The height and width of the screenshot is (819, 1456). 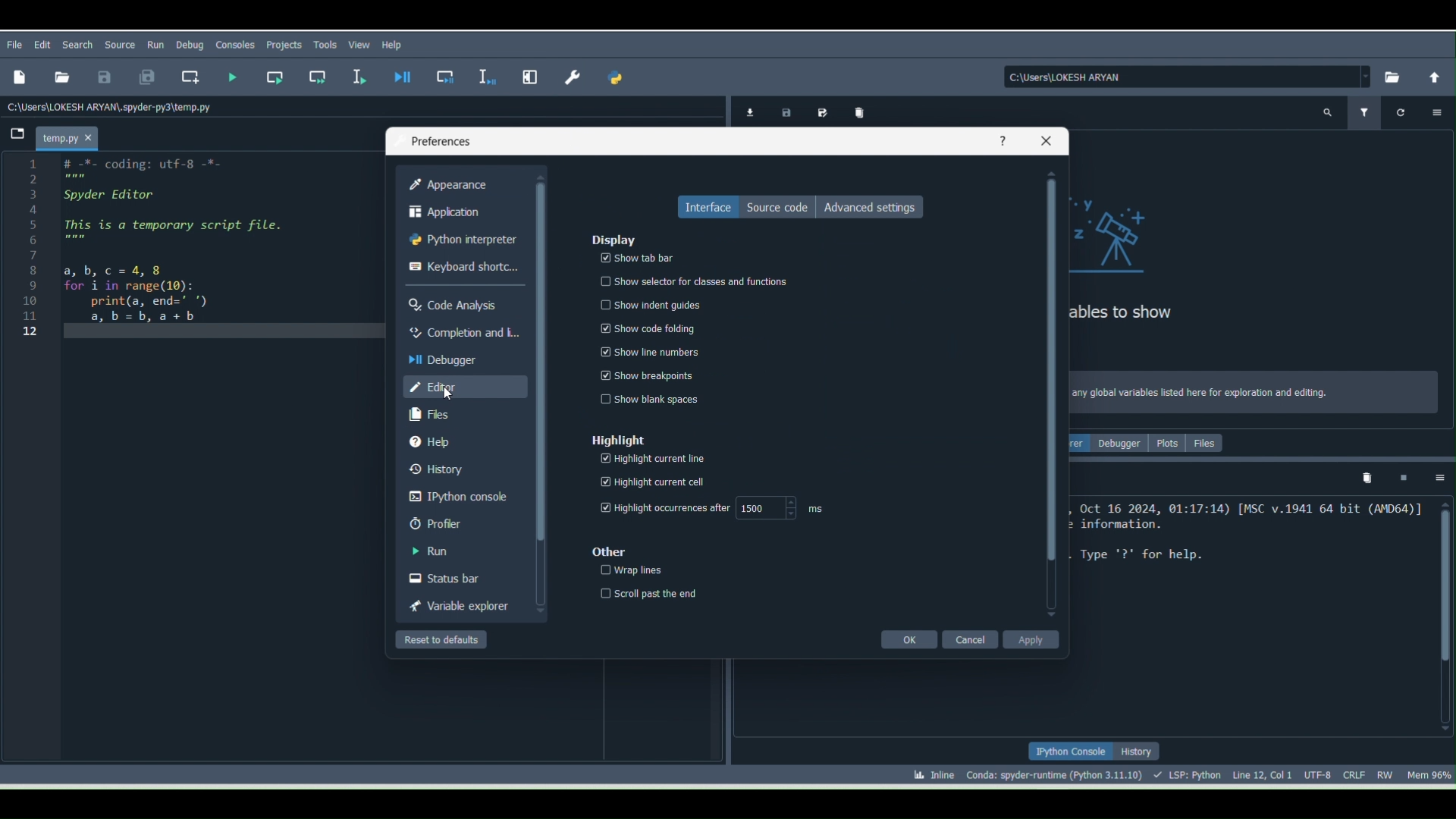 I want to click on New File(Ctrl + N), so click(x=18, y=77).